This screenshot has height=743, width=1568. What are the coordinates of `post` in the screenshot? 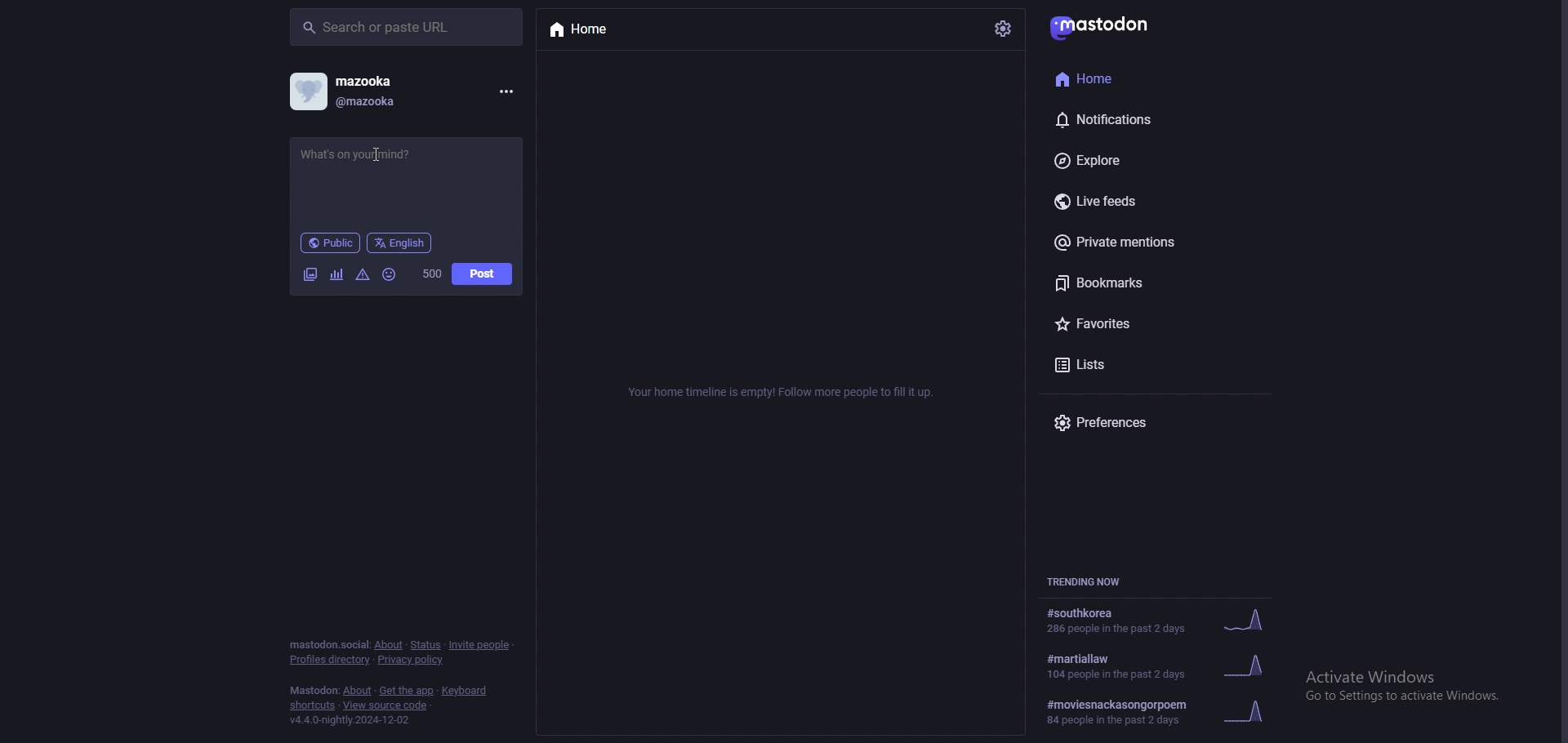 It's located at (483, 274).